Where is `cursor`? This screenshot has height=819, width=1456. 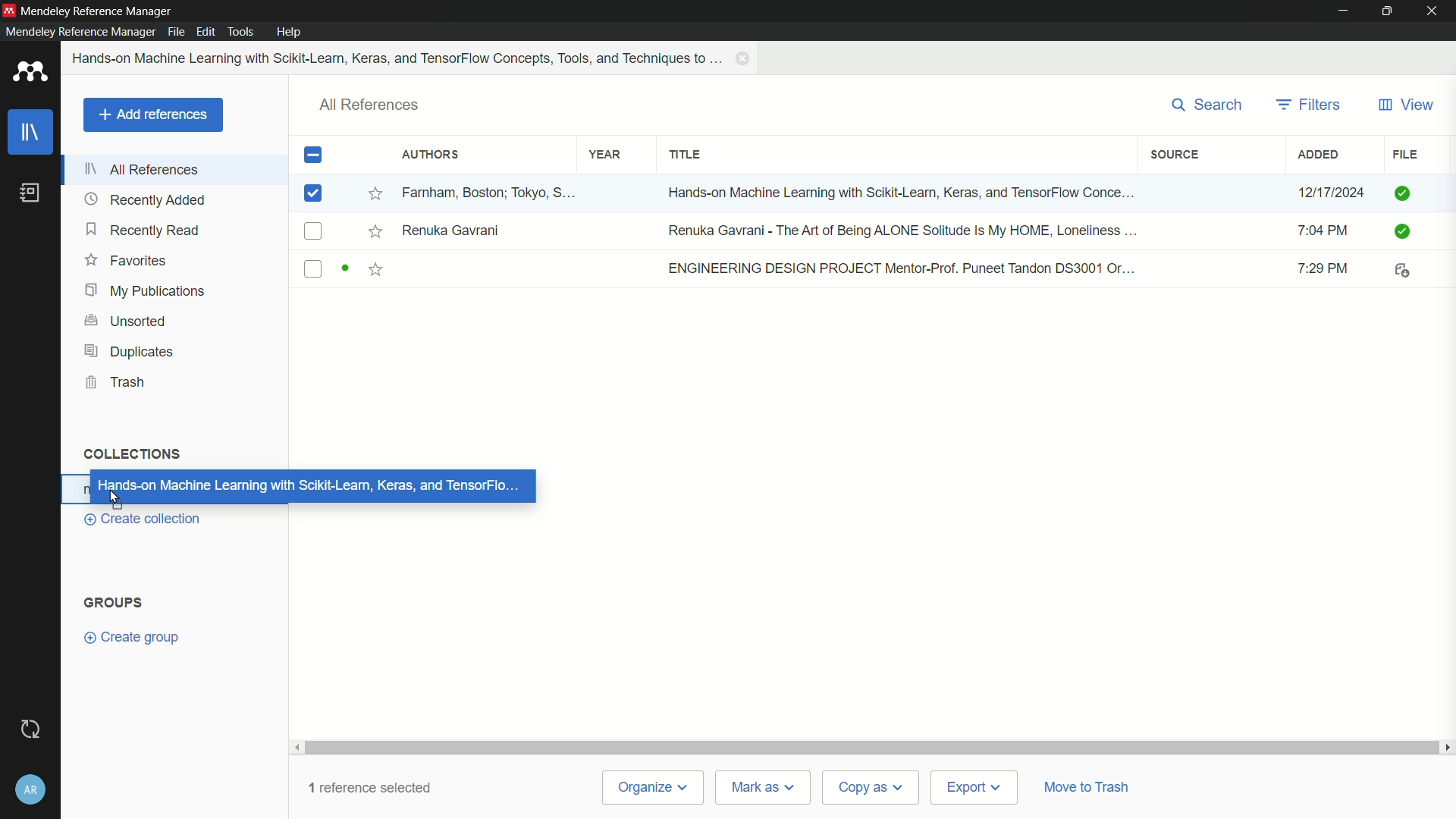 cursor is located at coordinates (115, 497).